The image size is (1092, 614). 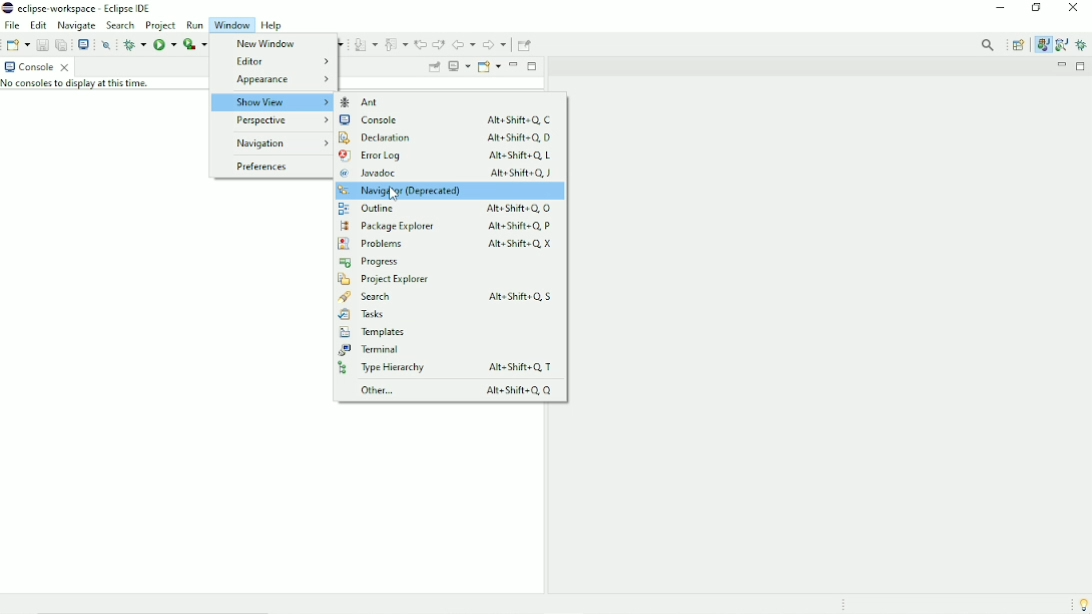 What do you see at coordinates (443, 208) in the screenshot?
I see `Outline` at bounding box center [443, 208].